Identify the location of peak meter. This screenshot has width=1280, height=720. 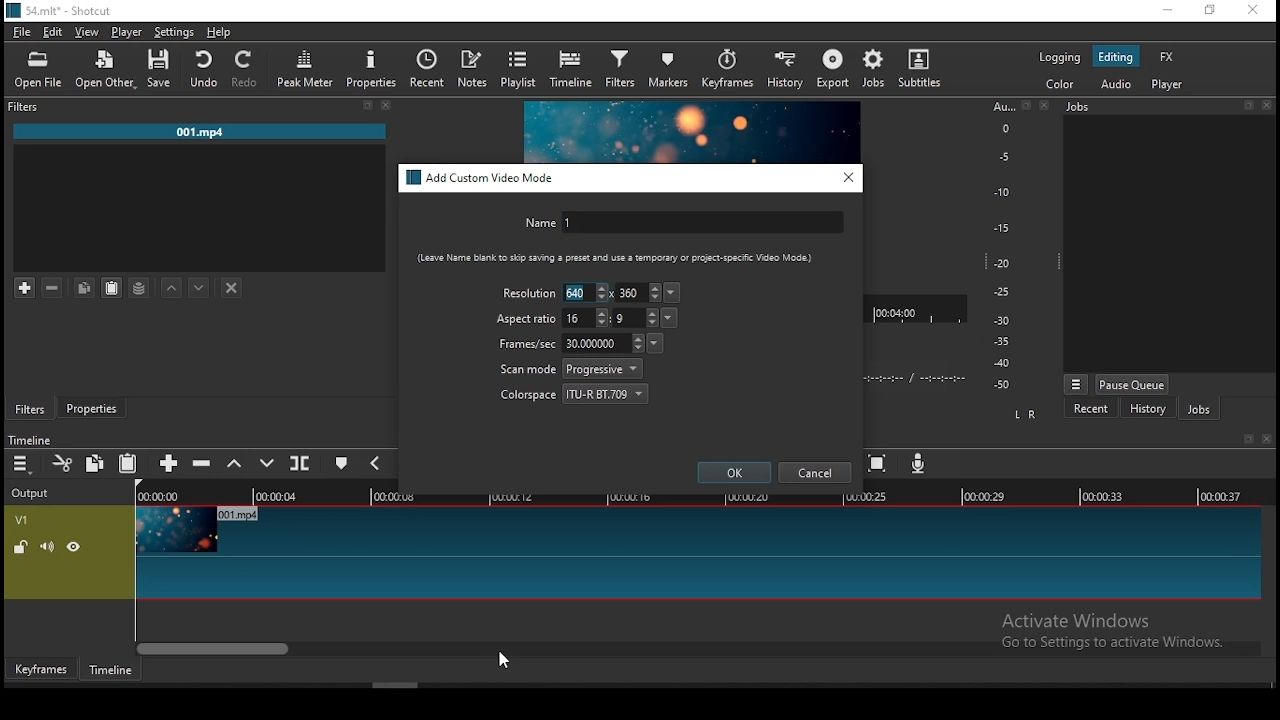
(305, 69).